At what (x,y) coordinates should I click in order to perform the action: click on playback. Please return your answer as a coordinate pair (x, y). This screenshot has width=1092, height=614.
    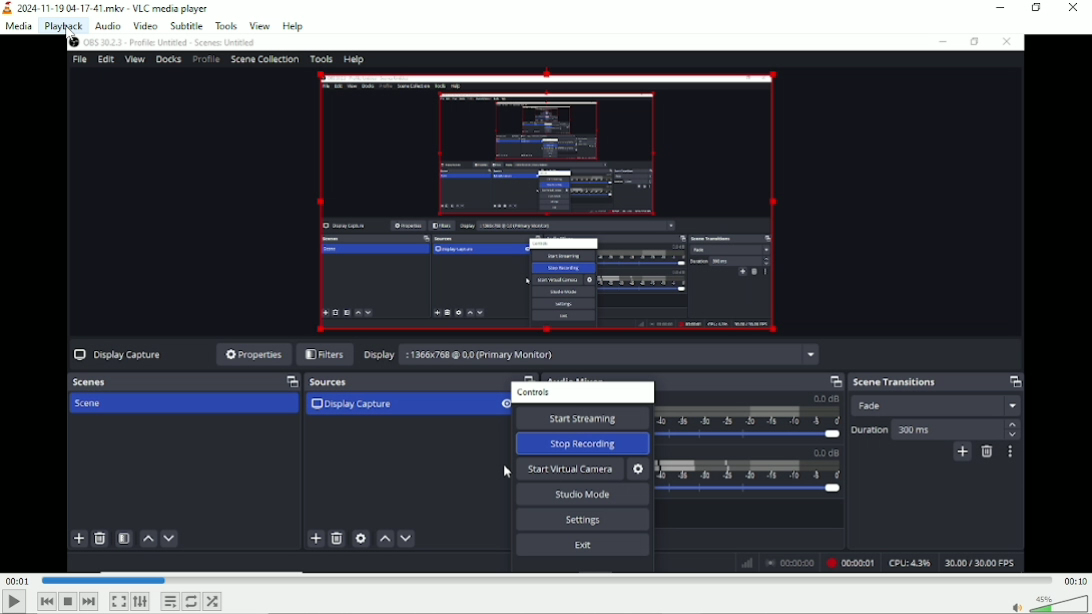
    Looking at the image, I should click on (63, 25).